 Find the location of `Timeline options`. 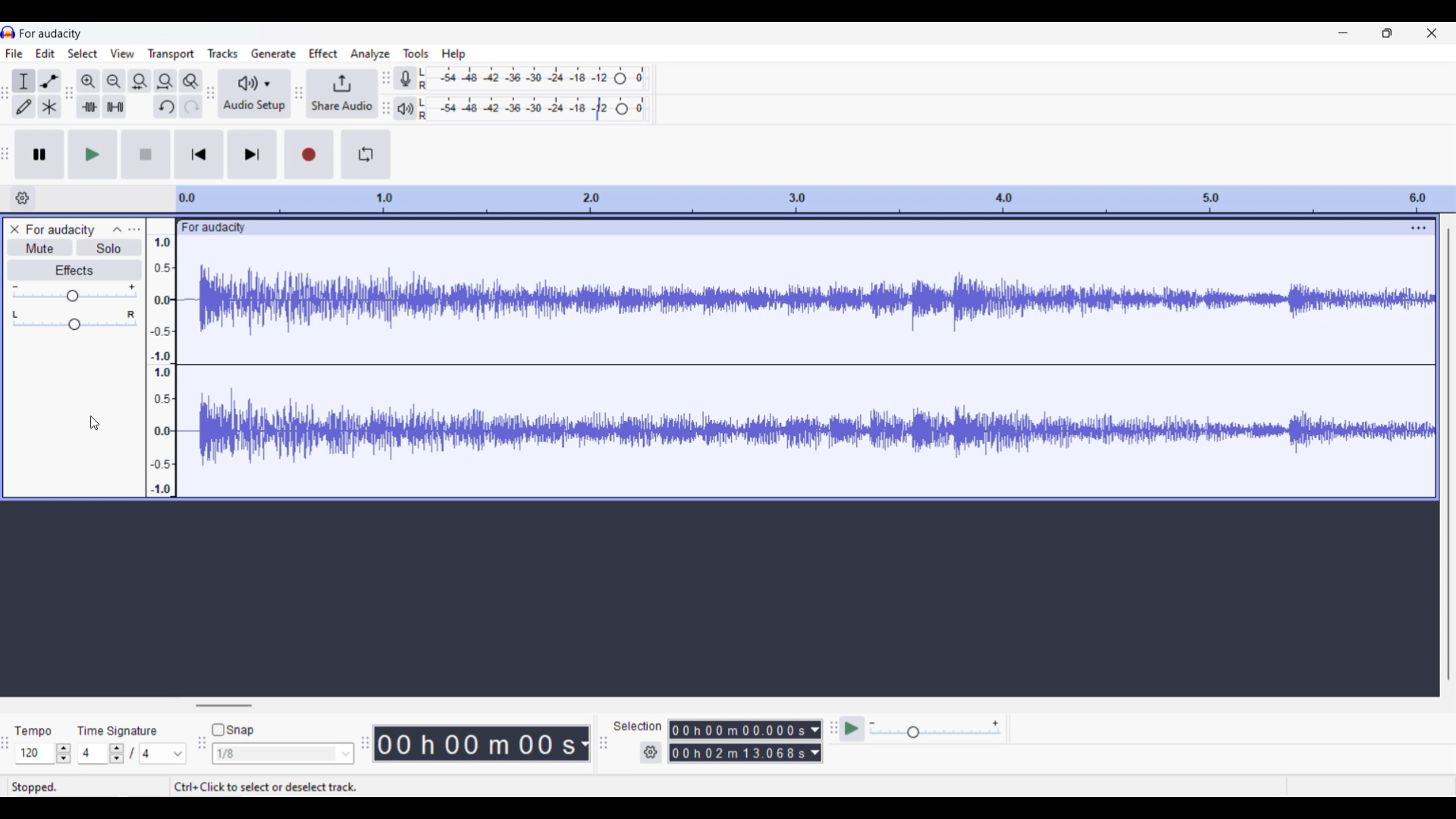

Timeline options is located at coordinates (22, 198).